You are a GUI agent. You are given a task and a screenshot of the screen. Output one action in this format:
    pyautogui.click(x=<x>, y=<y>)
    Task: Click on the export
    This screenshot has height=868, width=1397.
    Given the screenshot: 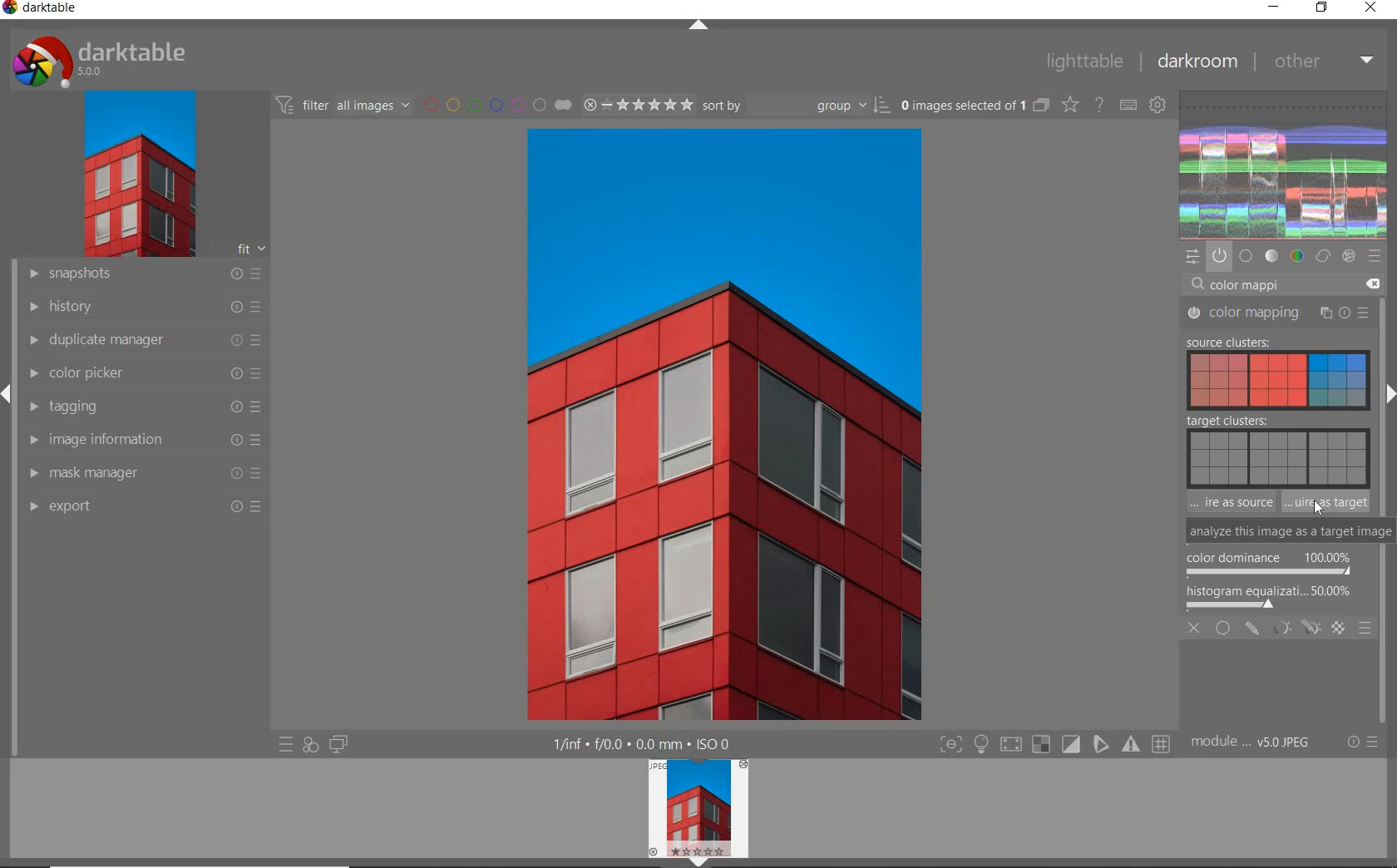 What is the action you would take?
    pyautogui.click(x=144, y=507)
    